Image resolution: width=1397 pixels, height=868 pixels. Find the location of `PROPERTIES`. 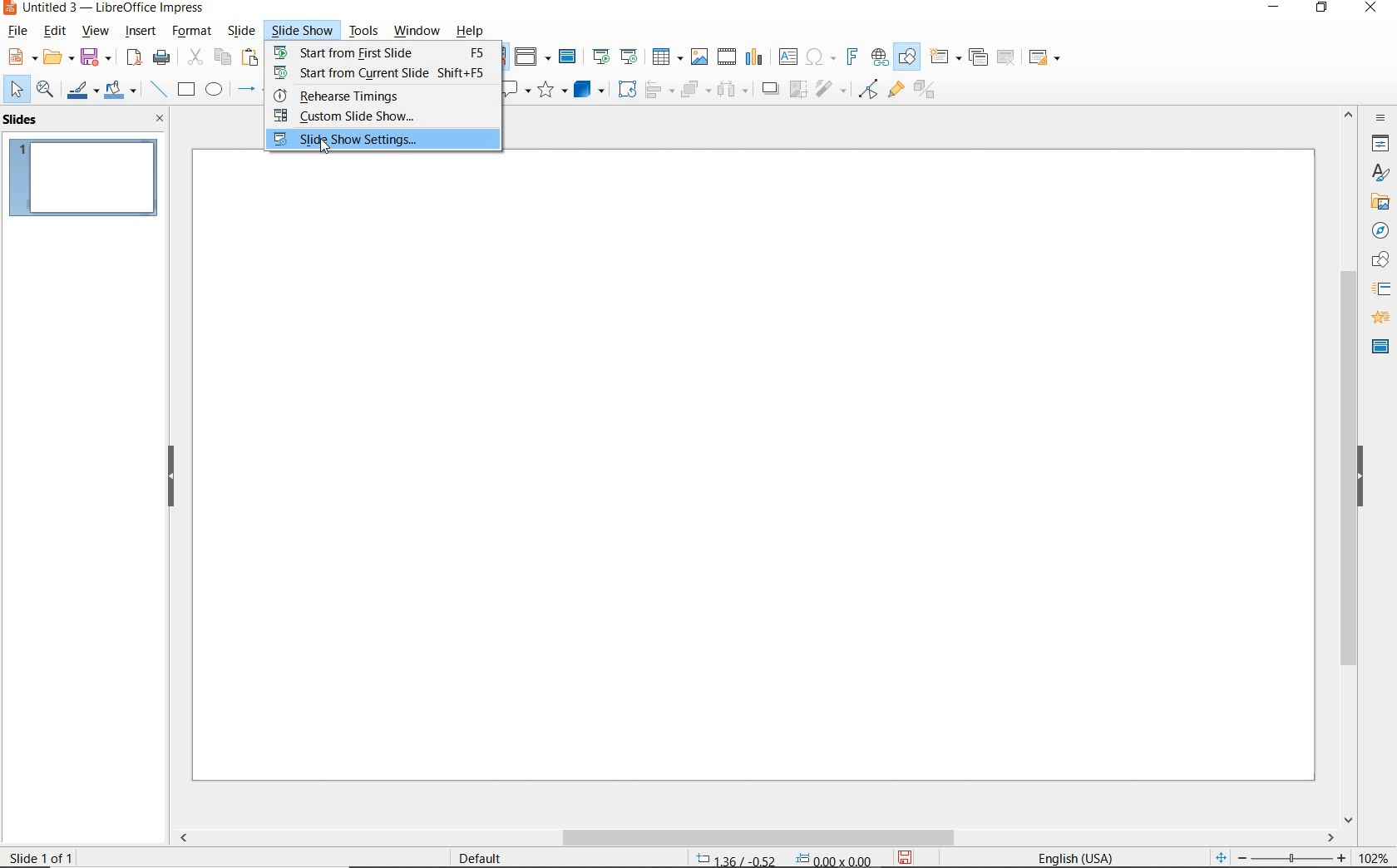

PROPERTIES is located at coordinates (1380, 145).